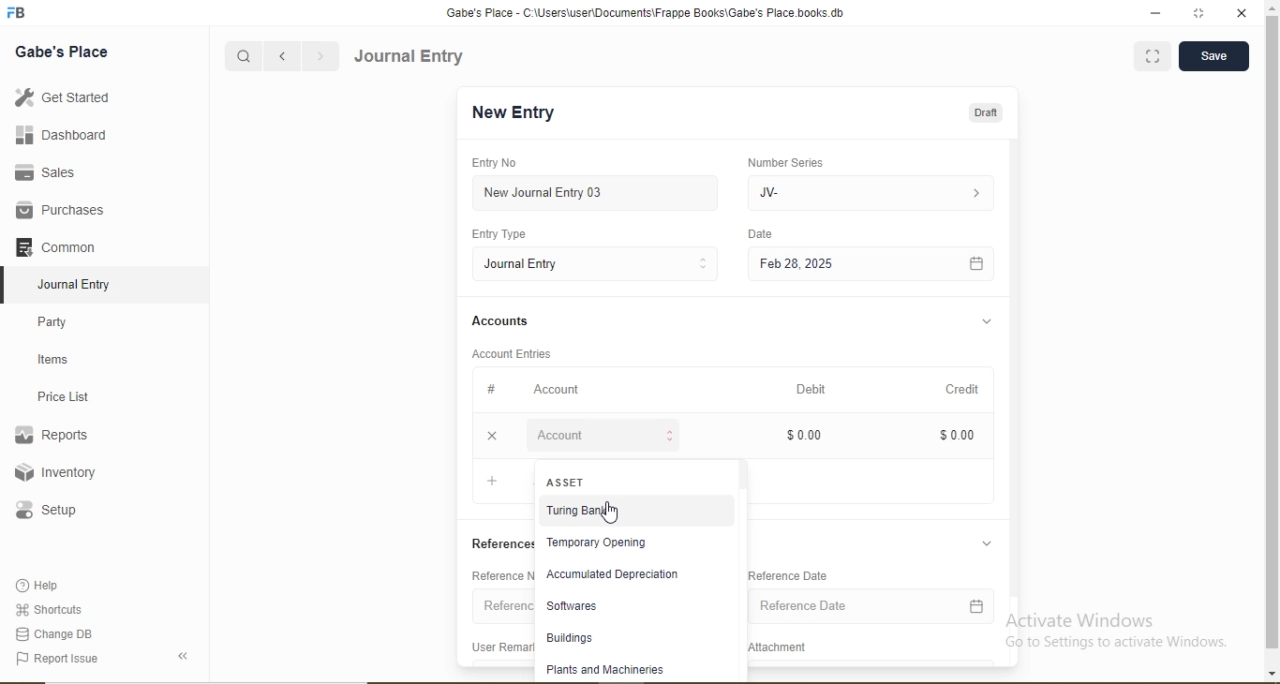  I want to click on Calendar, so click(976, 263).